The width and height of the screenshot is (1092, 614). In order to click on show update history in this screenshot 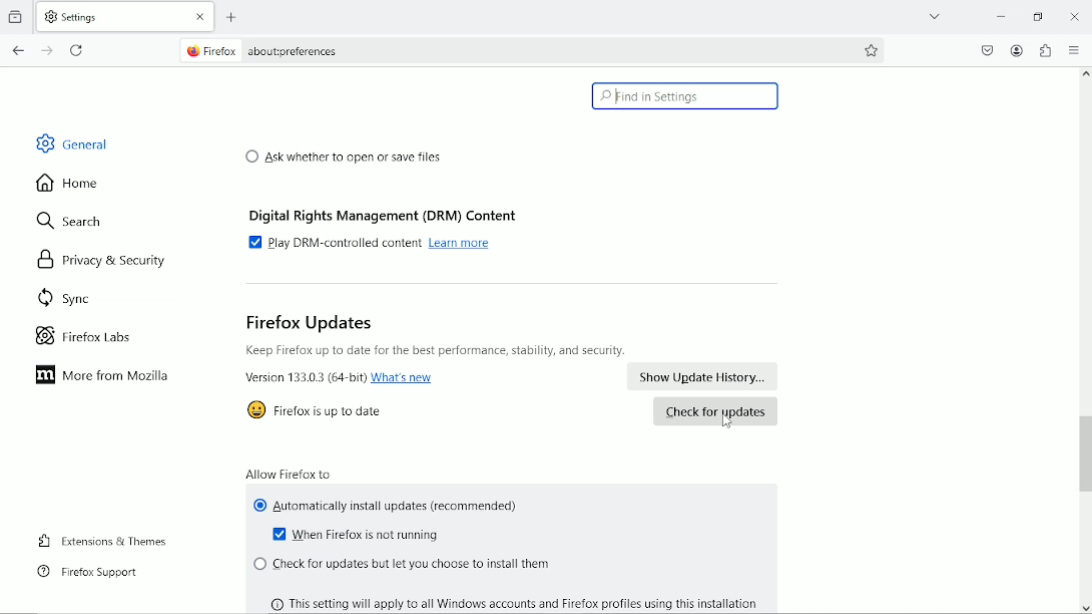, I will do `click(704, 377)`.